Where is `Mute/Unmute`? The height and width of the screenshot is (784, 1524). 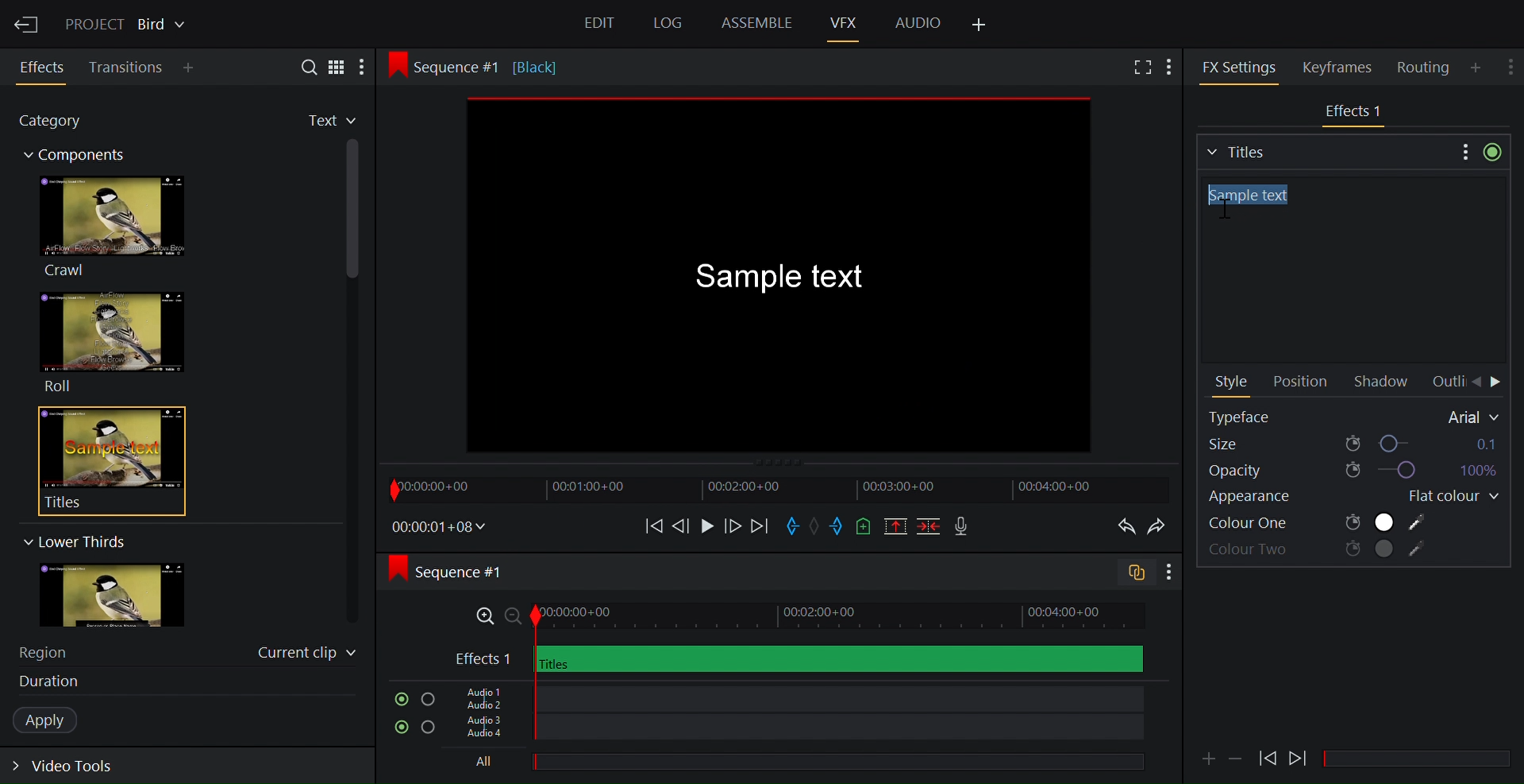
Mute/Unmute is located at coordinates (398, 728).